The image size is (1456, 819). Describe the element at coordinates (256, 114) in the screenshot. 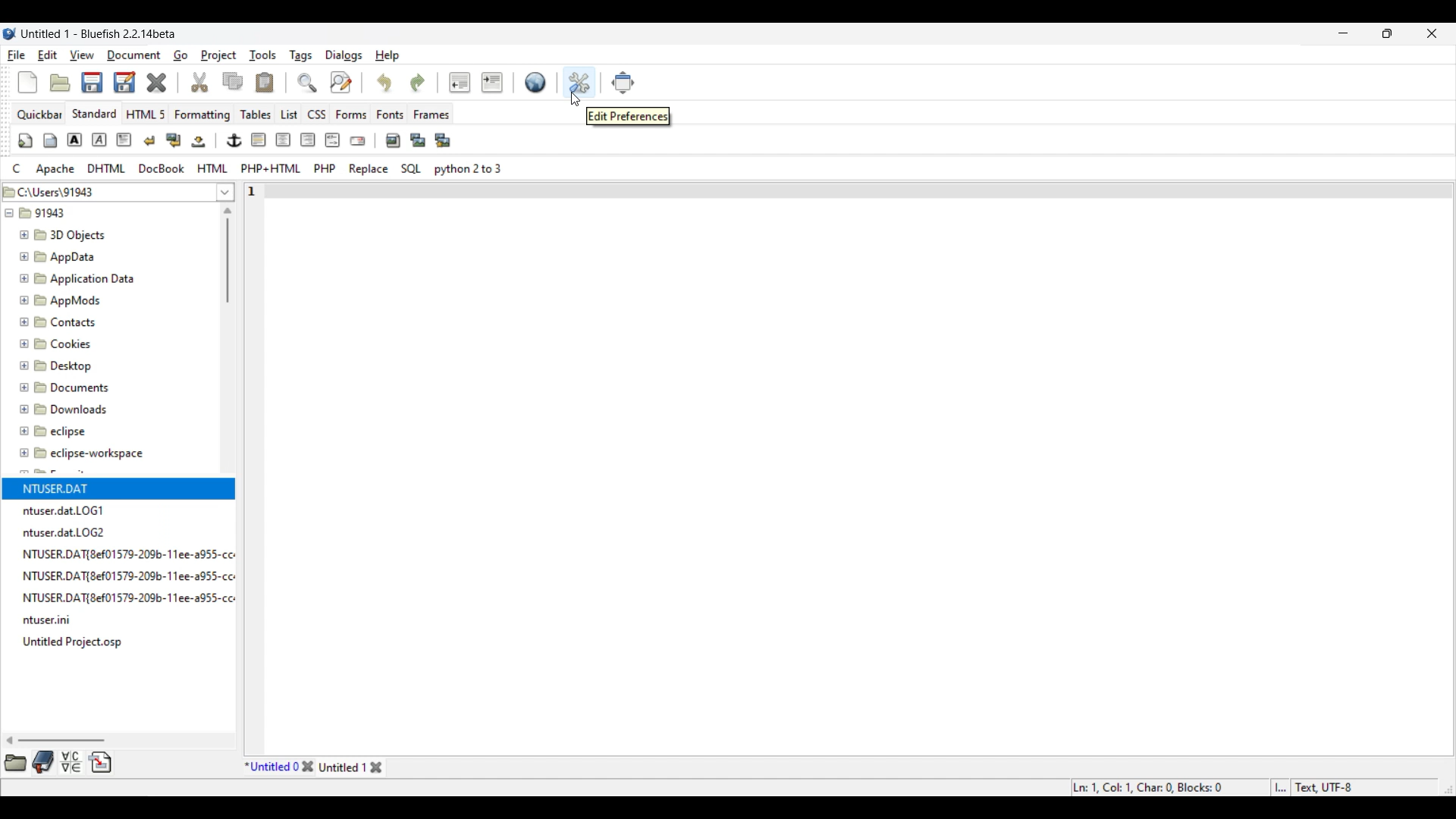

I see `Tables` at that location.